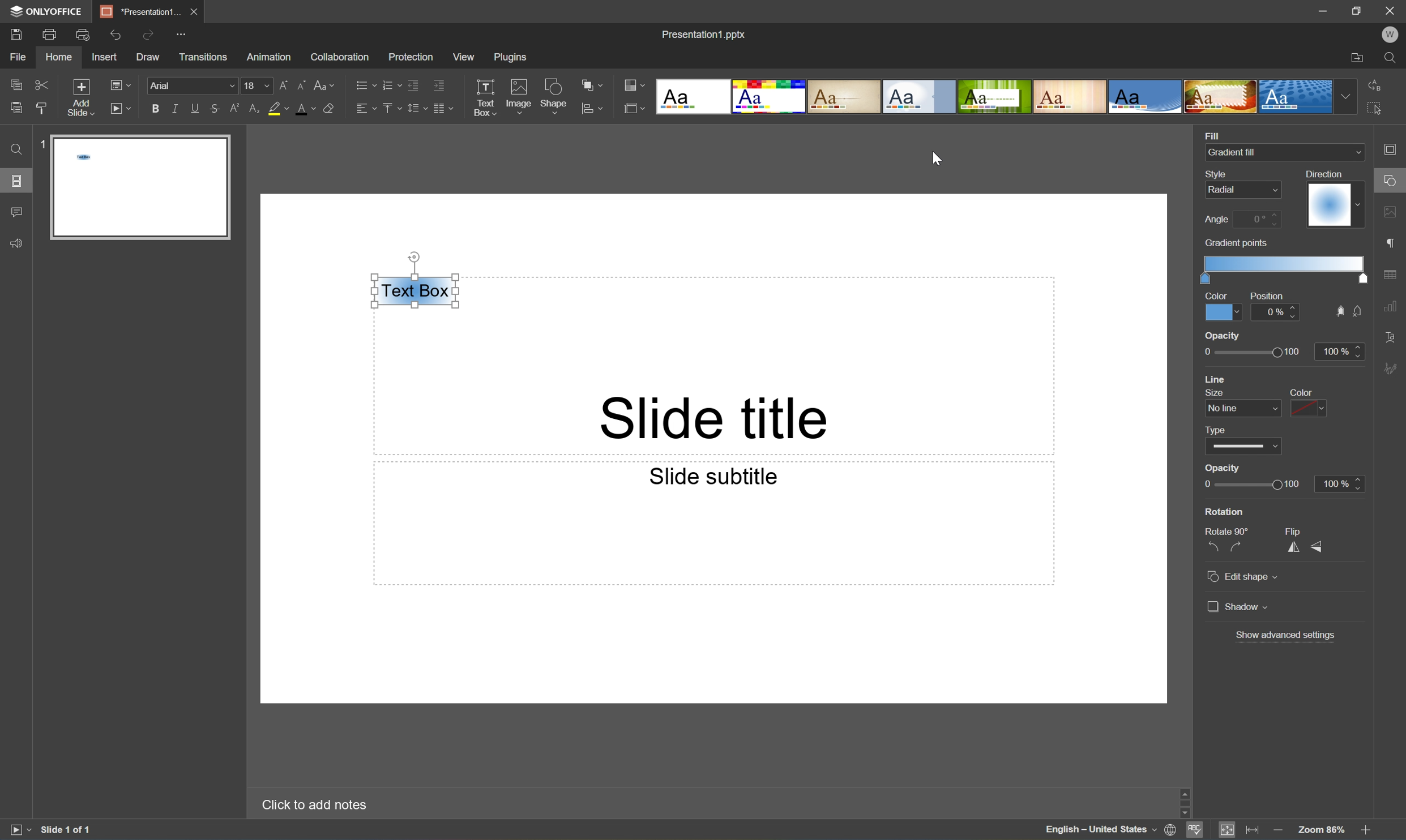 Image resolution: width=1406 pixels, height=840 pixels. What do you see at coordinates (18, 149) in the screenshot?
I see `Find` at bounding box center [18, 149].